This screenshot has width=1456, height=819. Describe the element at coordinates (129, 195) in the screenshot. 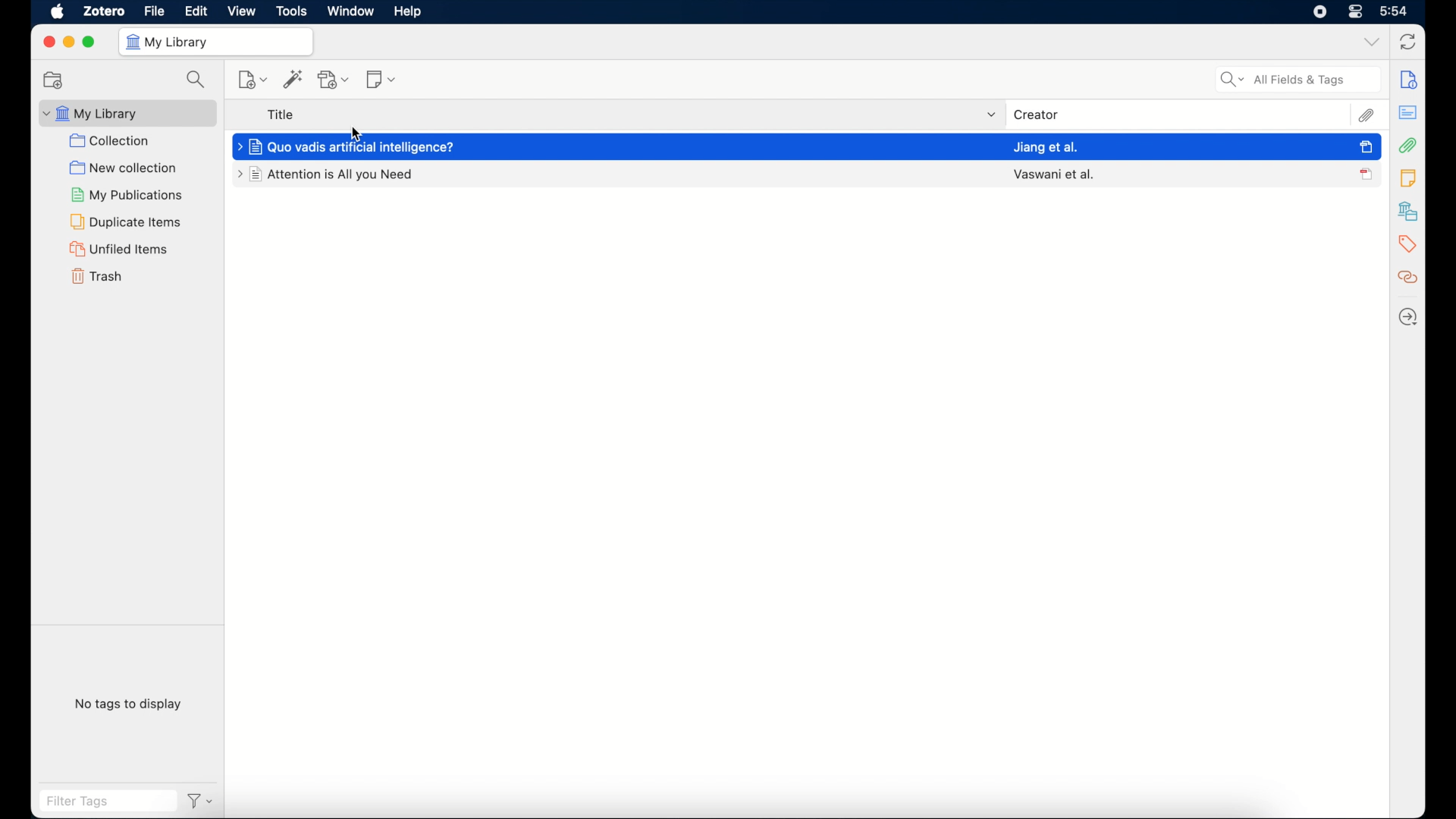

I see `my publications` at that location.